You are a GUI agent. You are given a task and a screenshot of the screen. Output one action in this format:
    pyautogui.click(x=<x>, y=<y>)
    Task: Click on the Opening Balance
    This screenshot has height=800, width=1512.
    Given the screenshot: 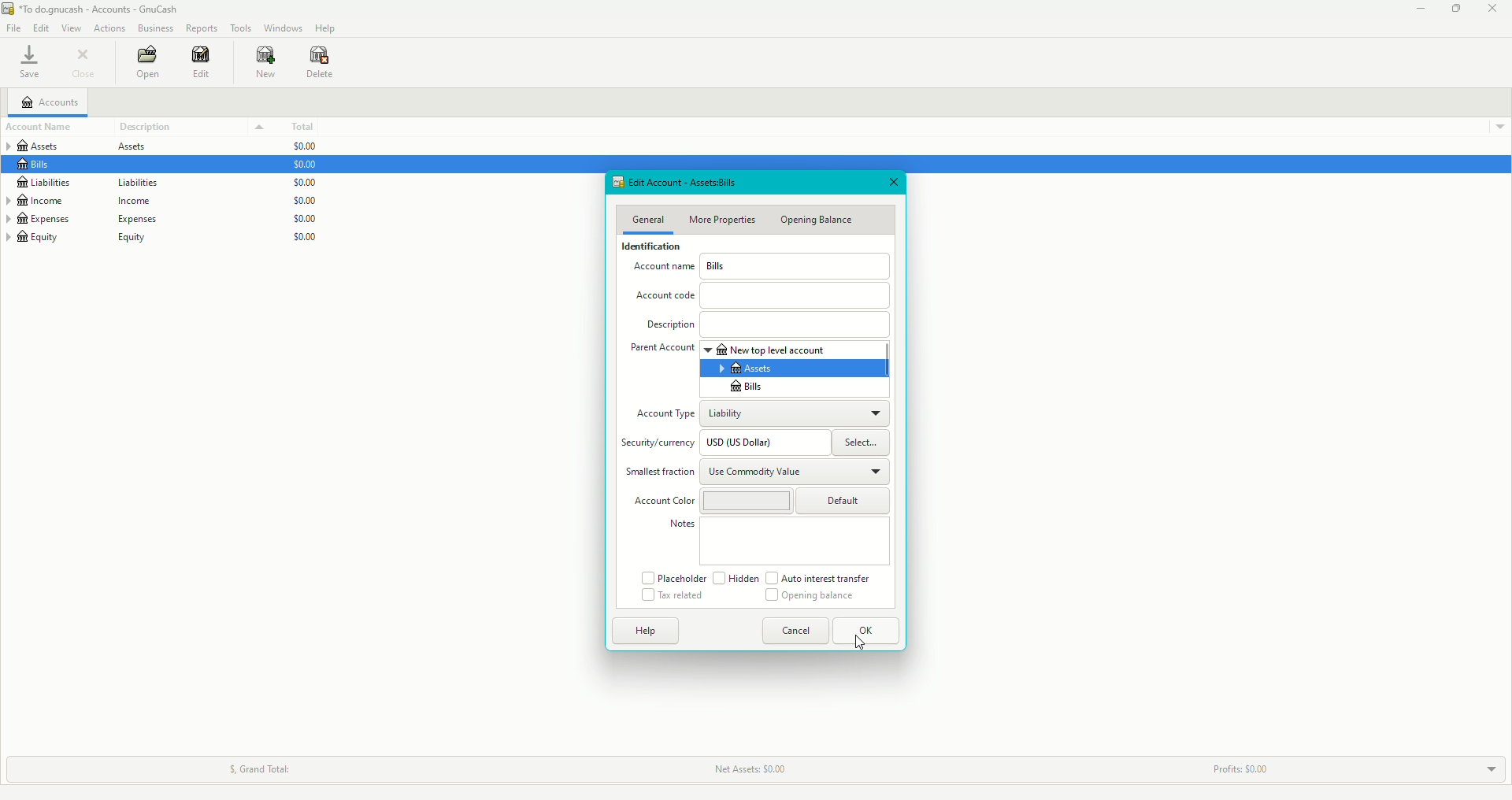 What is the action you would take?
    pyautogui.click(x=821, y=222)
    